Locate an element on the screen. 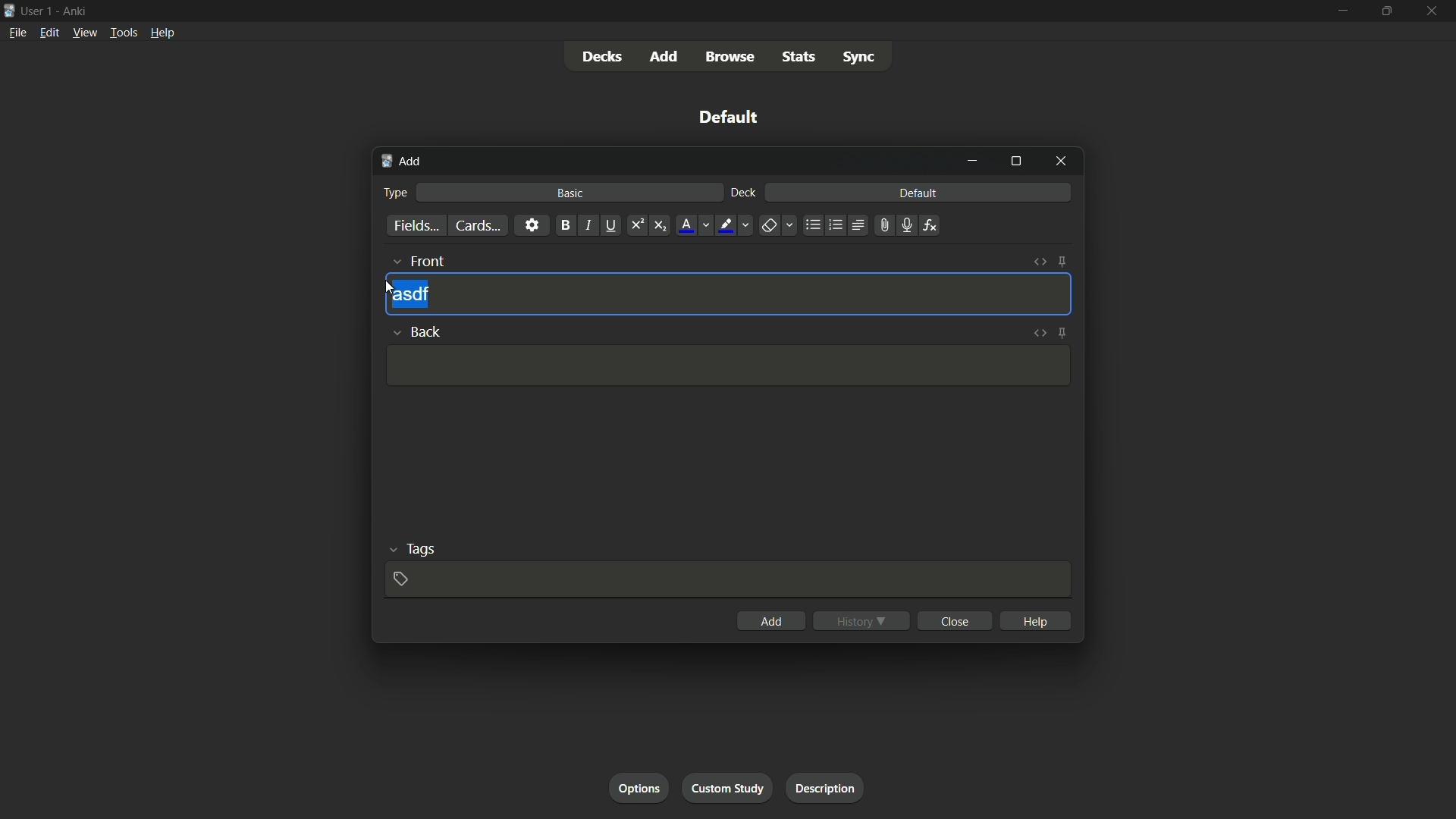  settings is located at coordinates (532, 225).